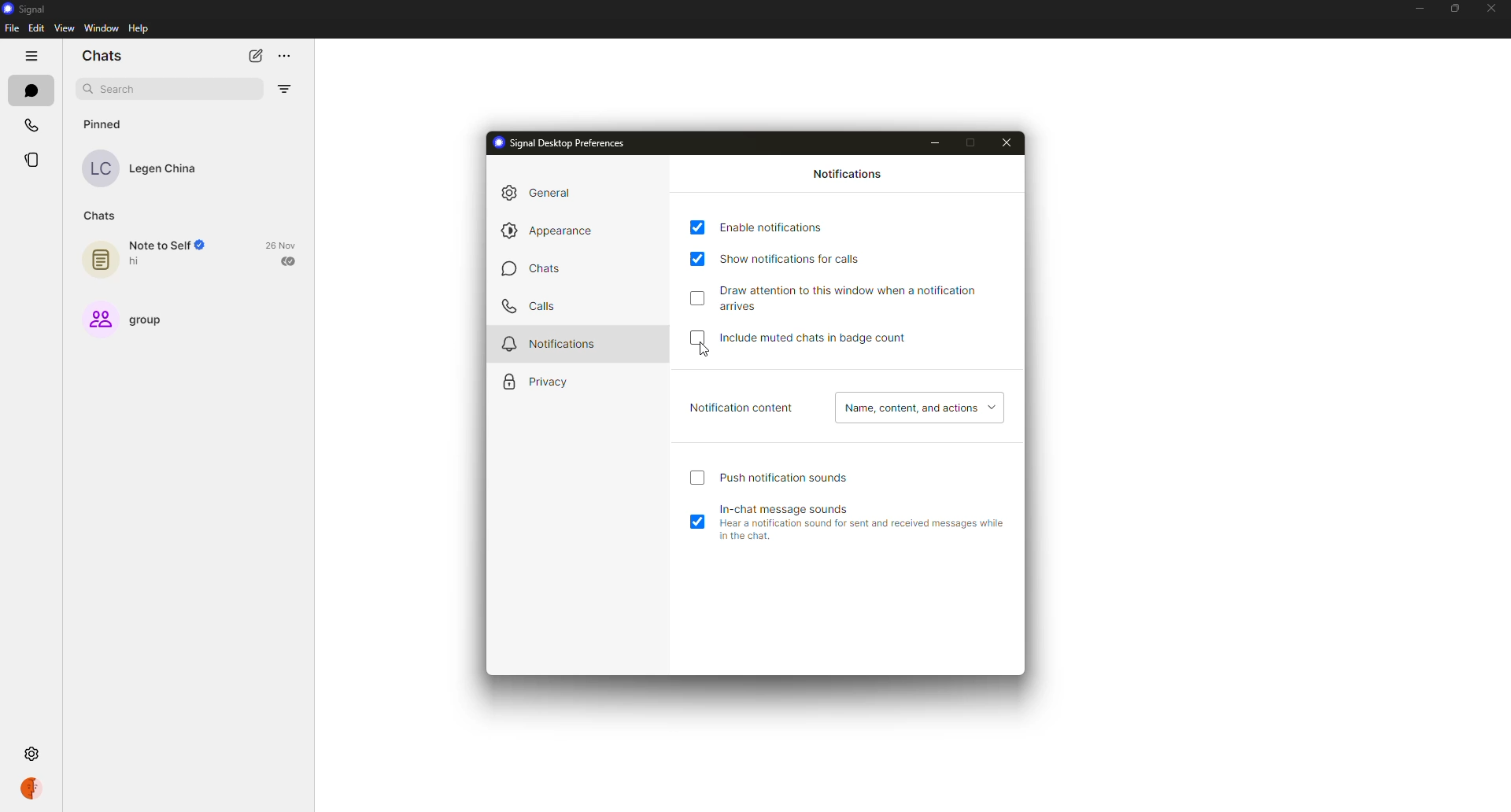  I want to click on help, so click(140, 29).